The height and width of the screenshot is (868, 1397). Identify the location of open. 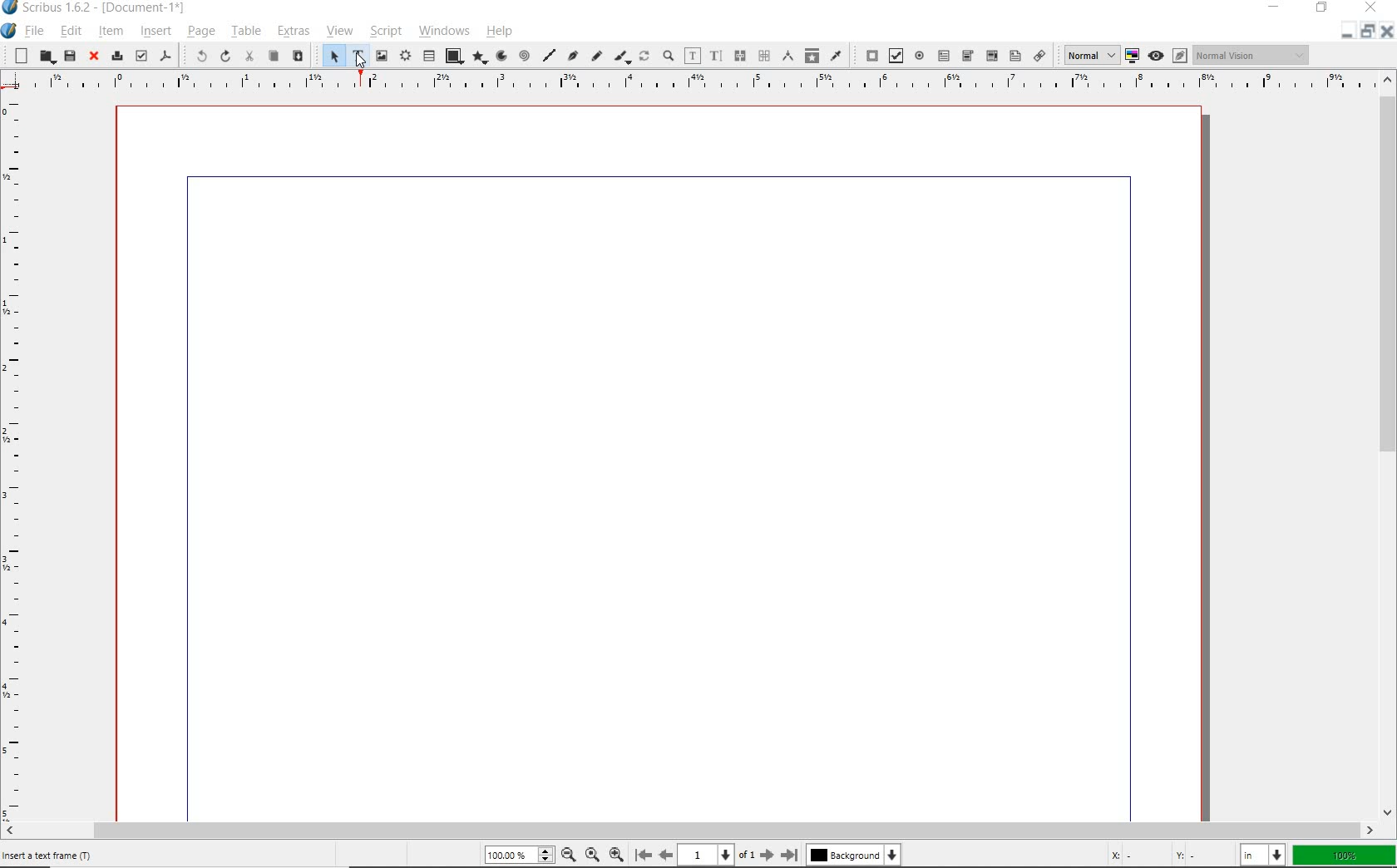
(45, 57).